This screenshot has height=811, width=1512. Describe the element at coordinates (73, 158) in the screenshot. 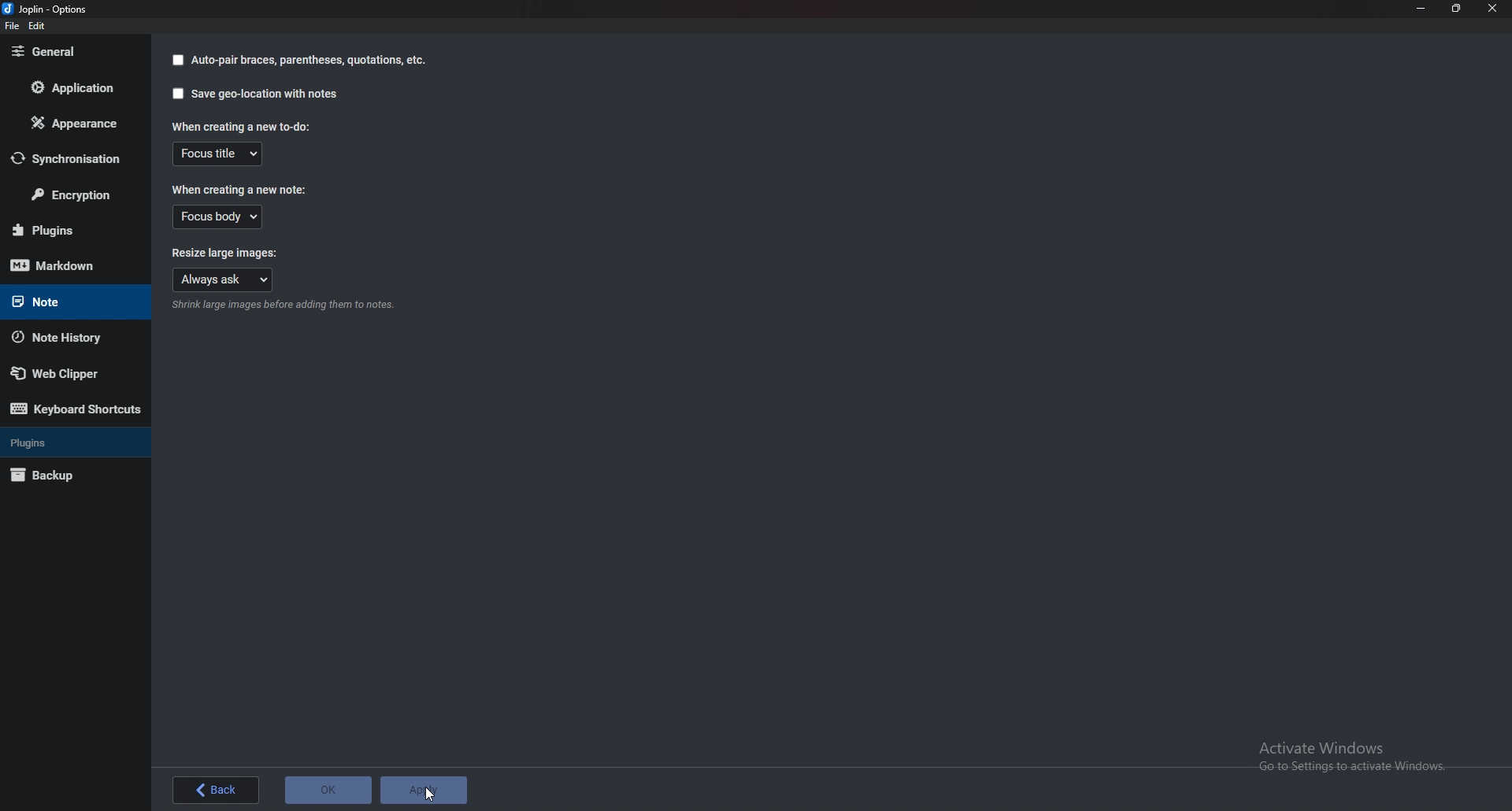

I see `Synchronization` at that location.